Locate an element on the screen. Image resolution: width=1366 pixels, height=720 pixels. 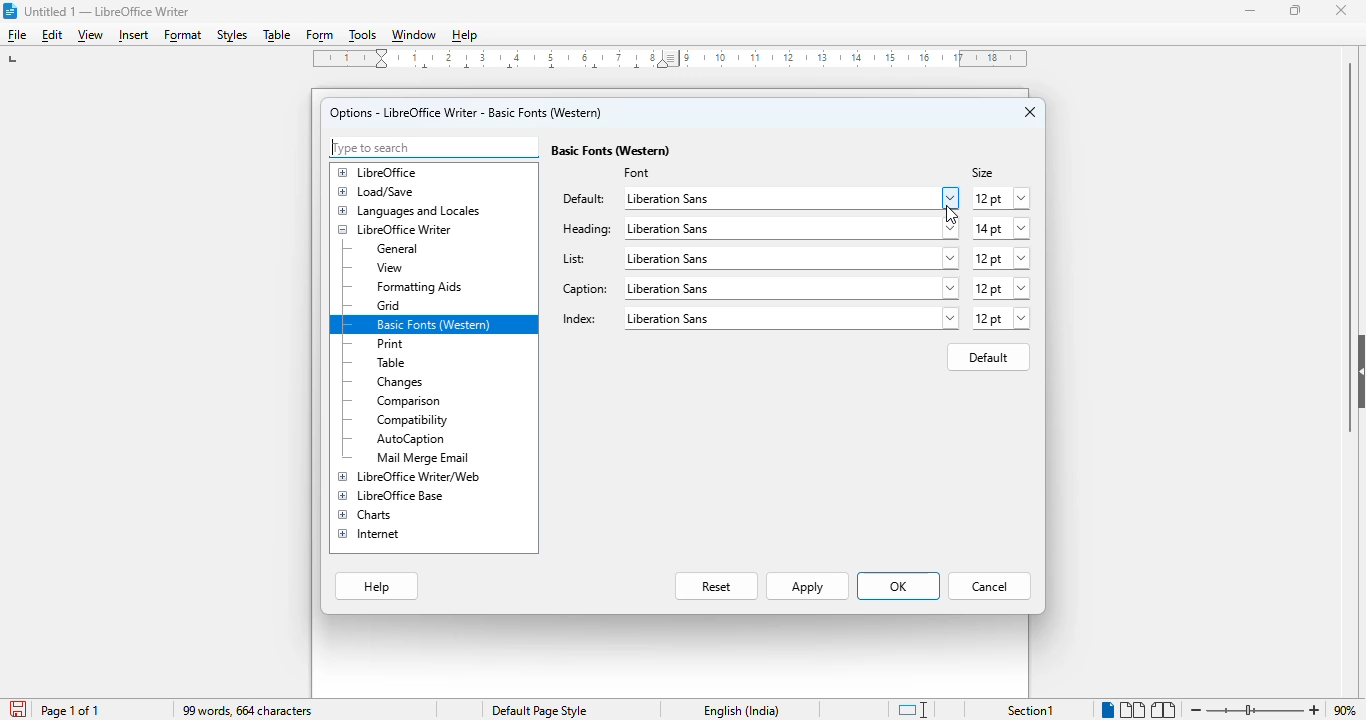
click to save document is located at coordinates (19, 708).